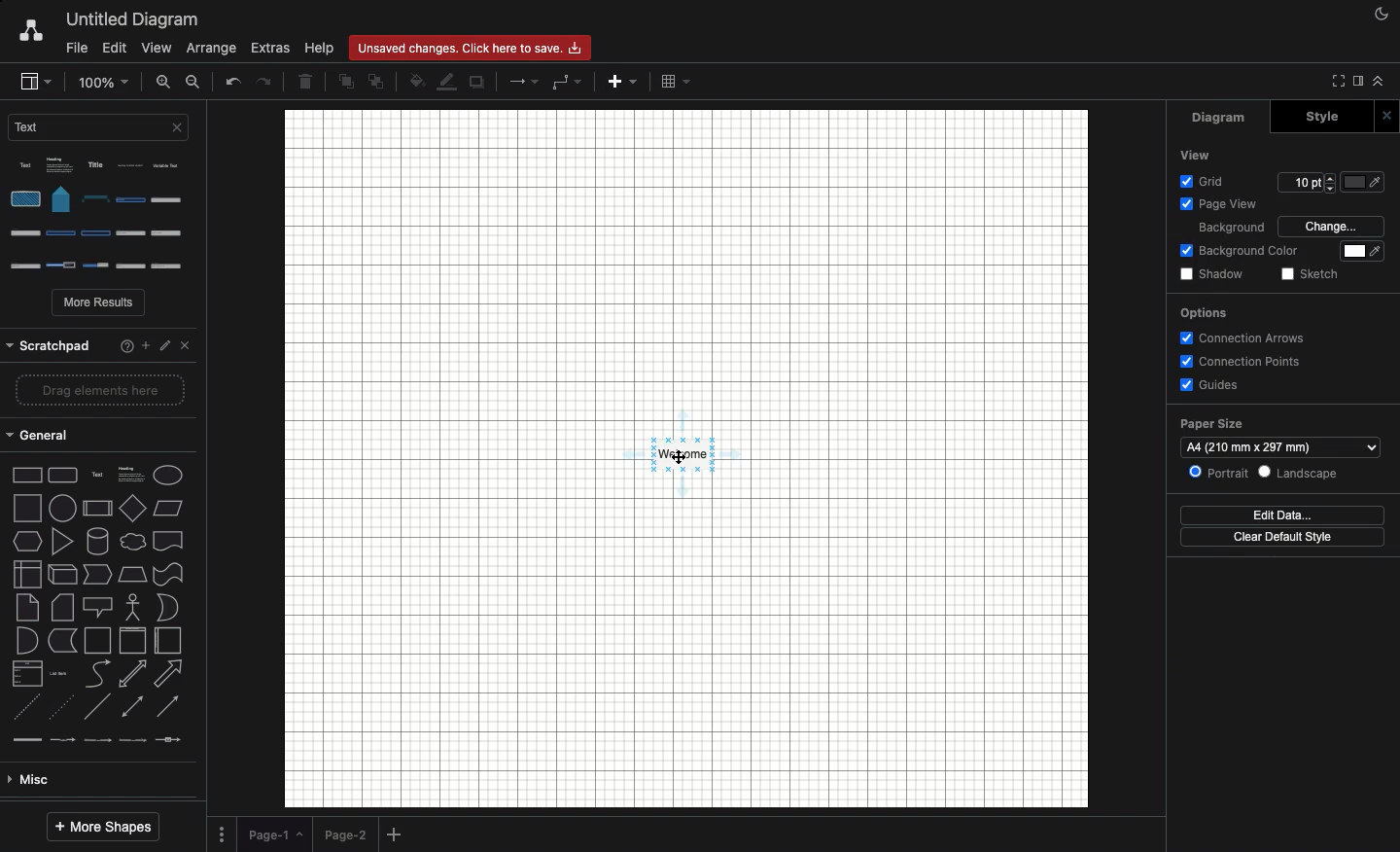  I want to click on Sidebar, so click(34, 82).